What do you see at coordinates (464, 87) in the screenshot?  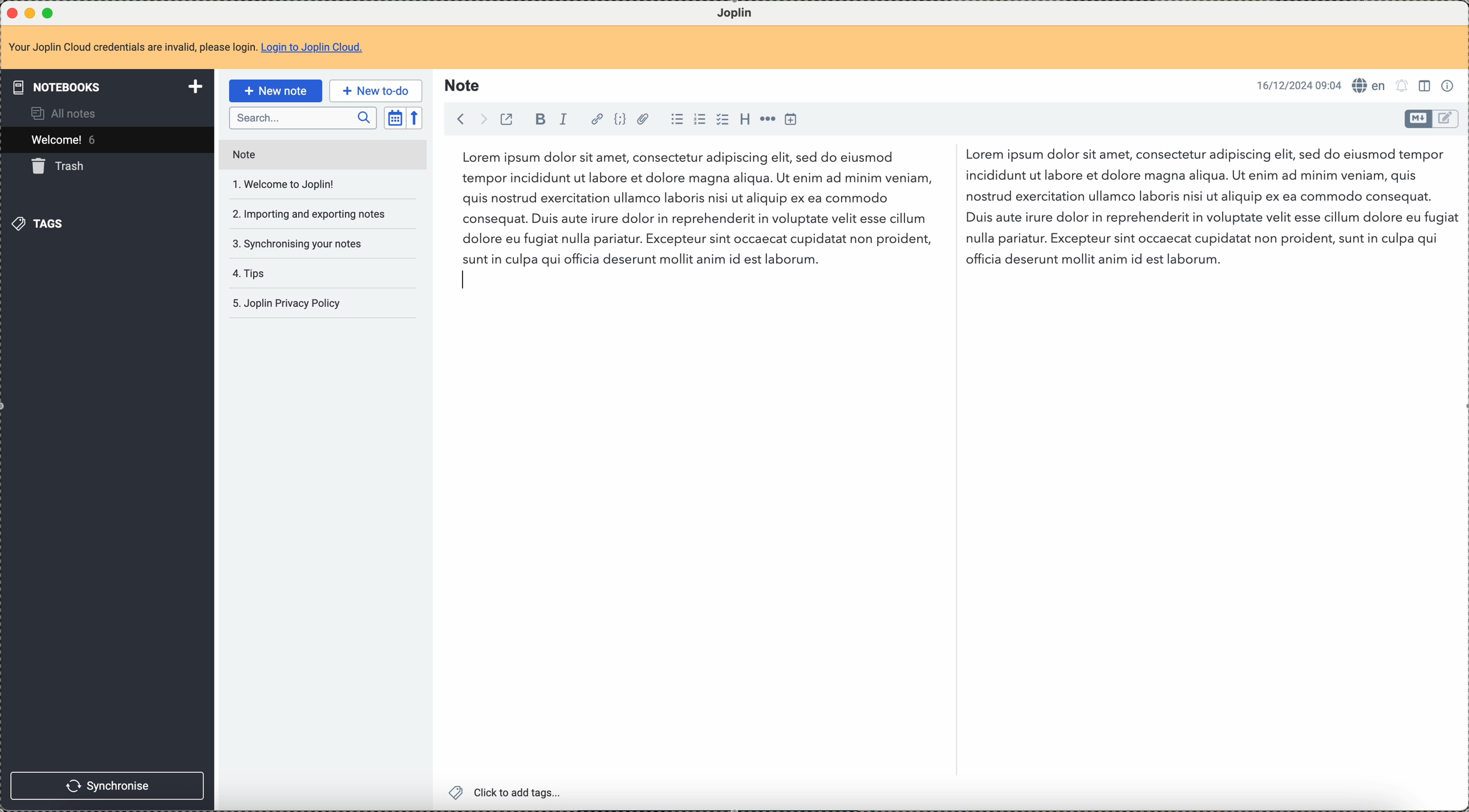 I see `note` at bounding box center [464, 87].